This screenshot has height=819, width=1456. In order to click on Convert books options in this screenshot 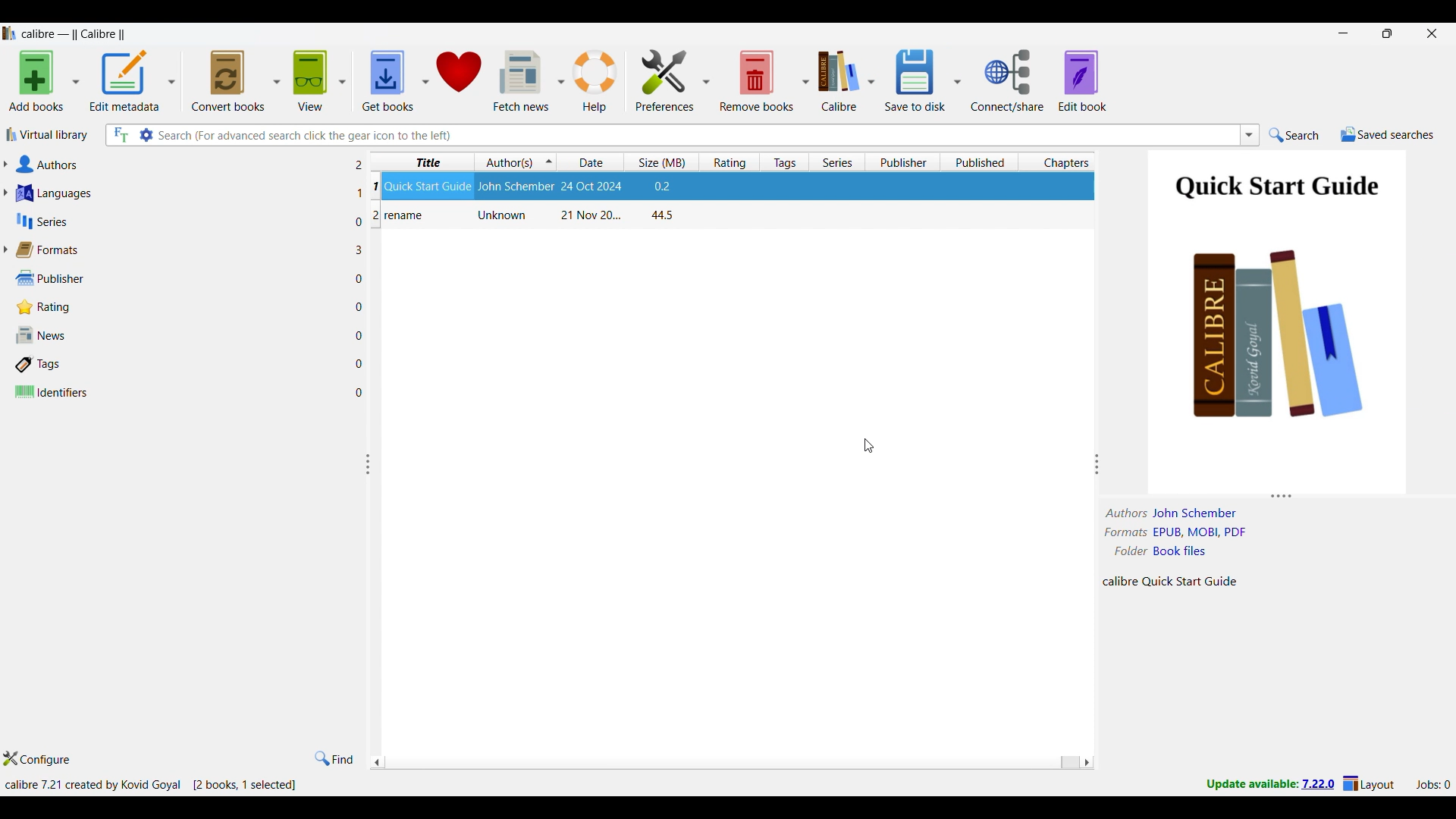, I will do `click(235, 80)`.